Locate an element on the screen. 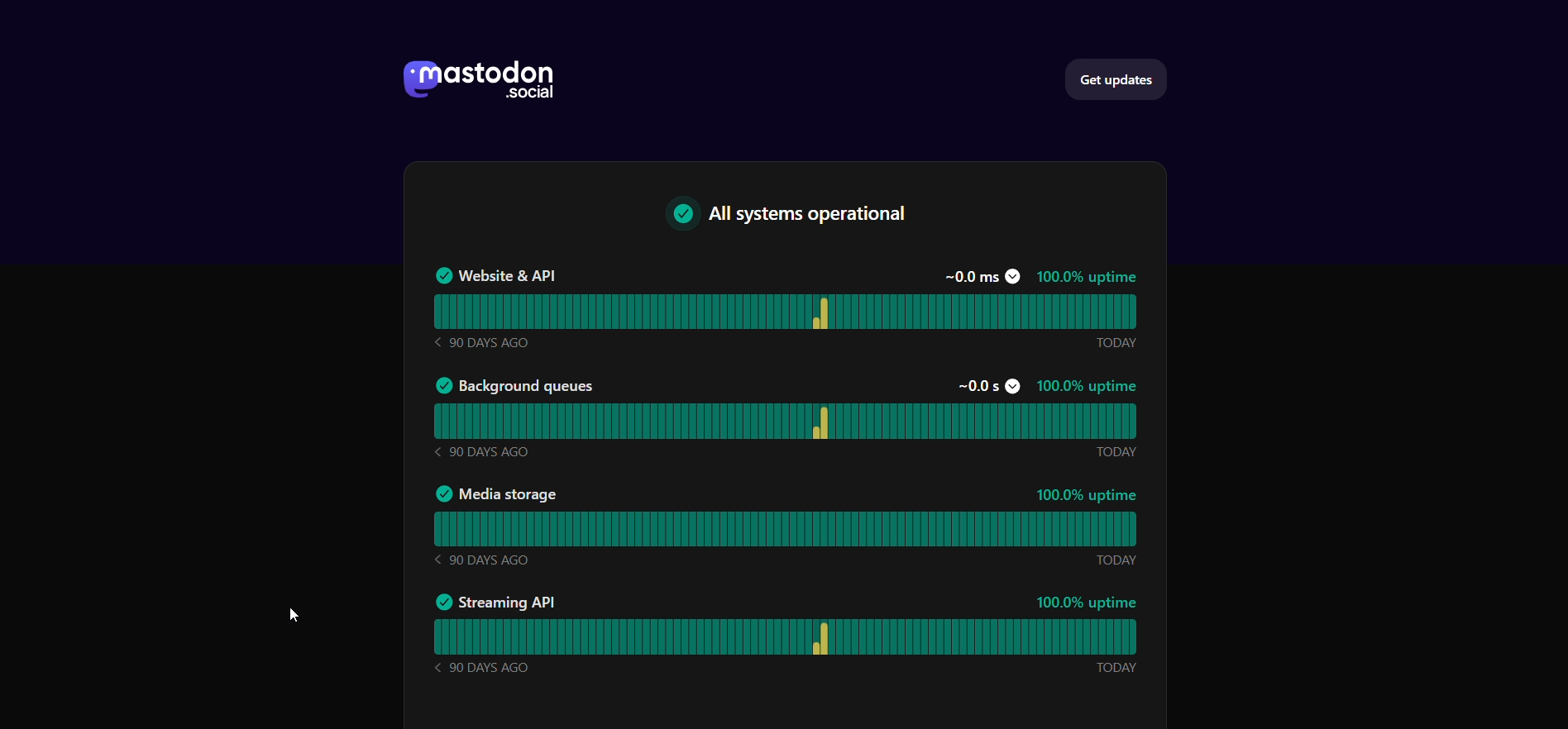  get updates is located at coordinates (1116, 77).